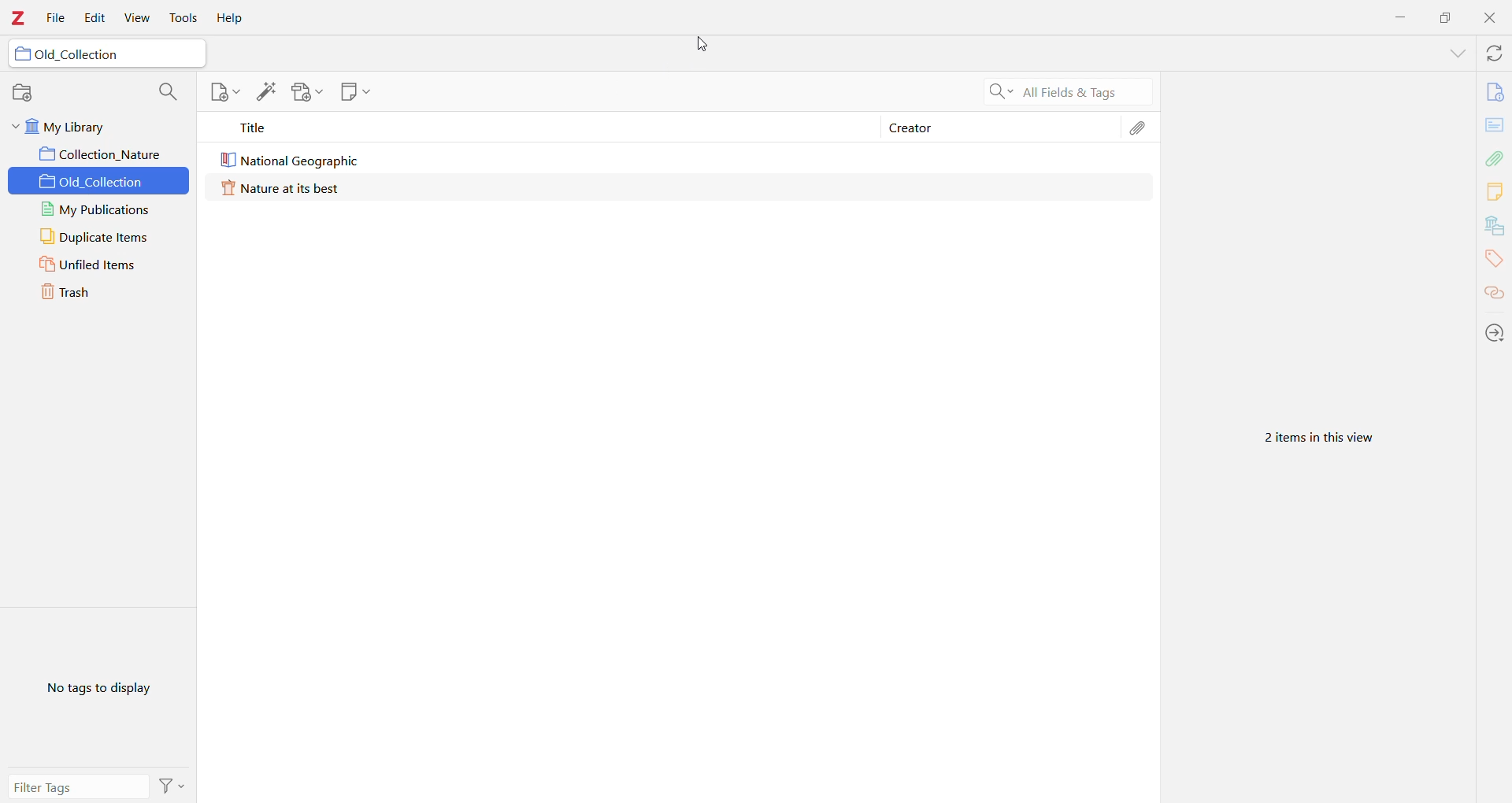 The height and width of the screenshot is (803, 1512). I want to click on Notes, so click(1494, 193).